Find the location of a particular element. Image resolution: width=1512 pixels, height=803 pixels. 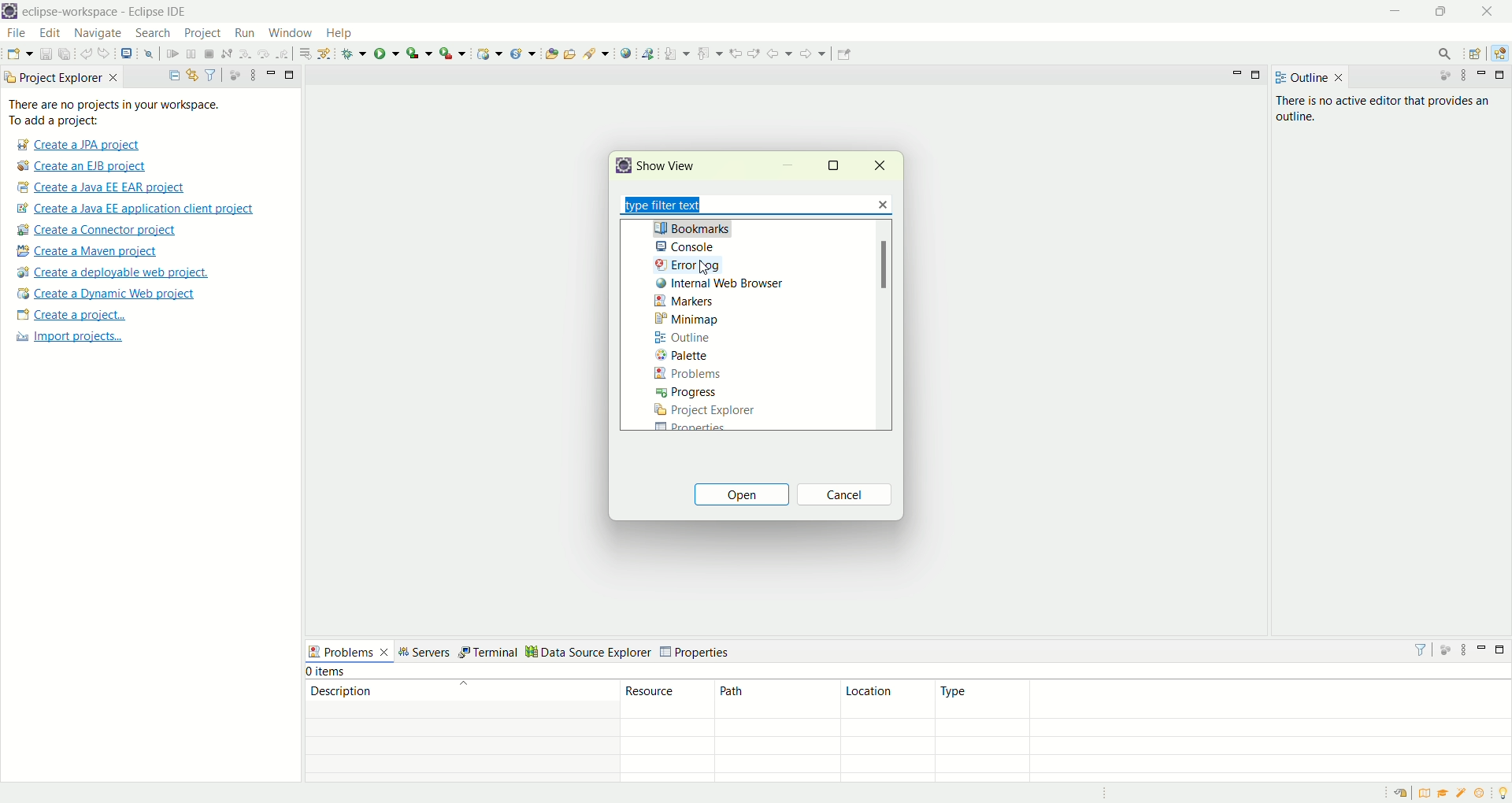

close is located at coordinates (1492, 12).